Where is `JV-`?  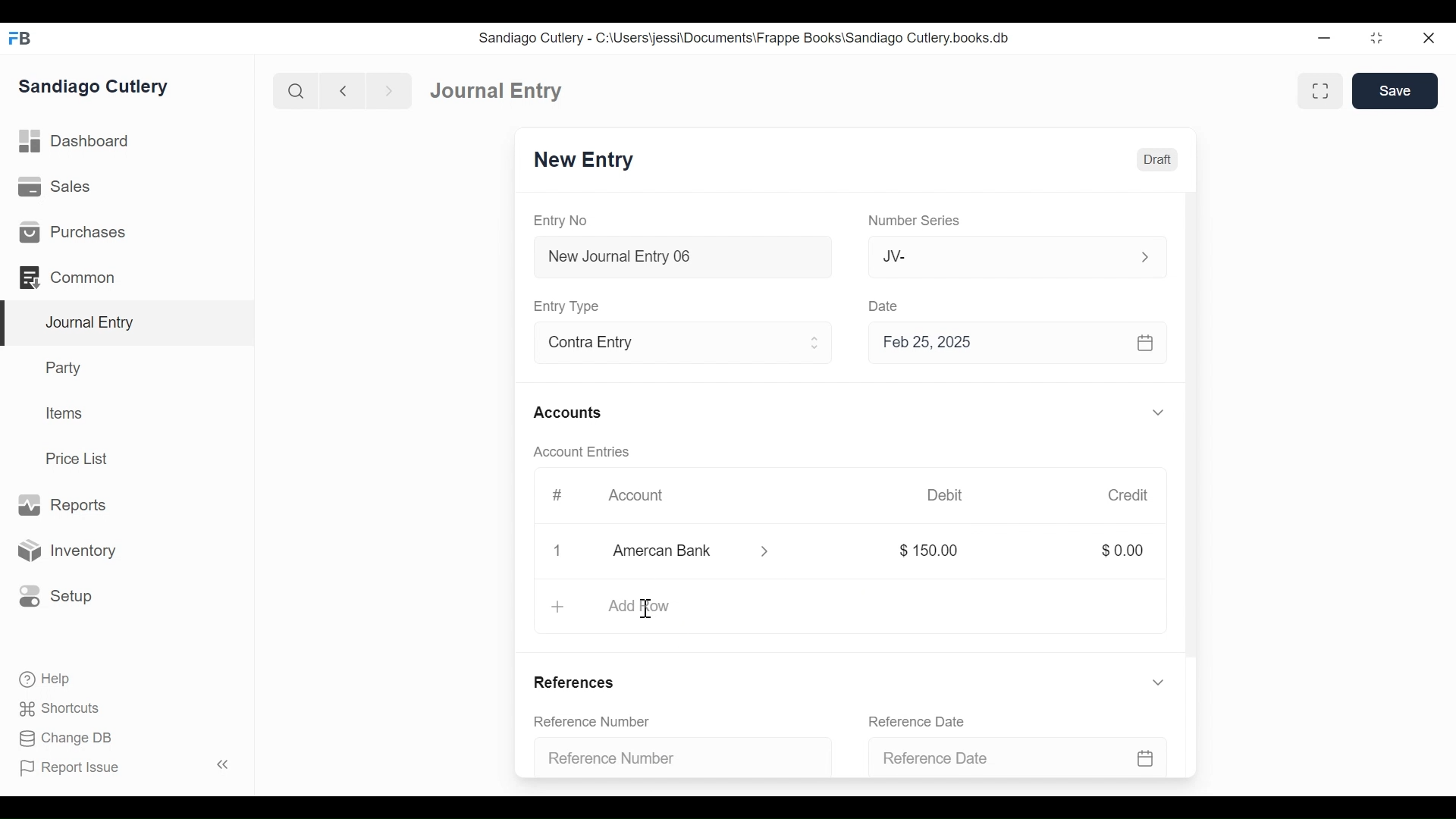 JV- is located at coordinates (999, 255).